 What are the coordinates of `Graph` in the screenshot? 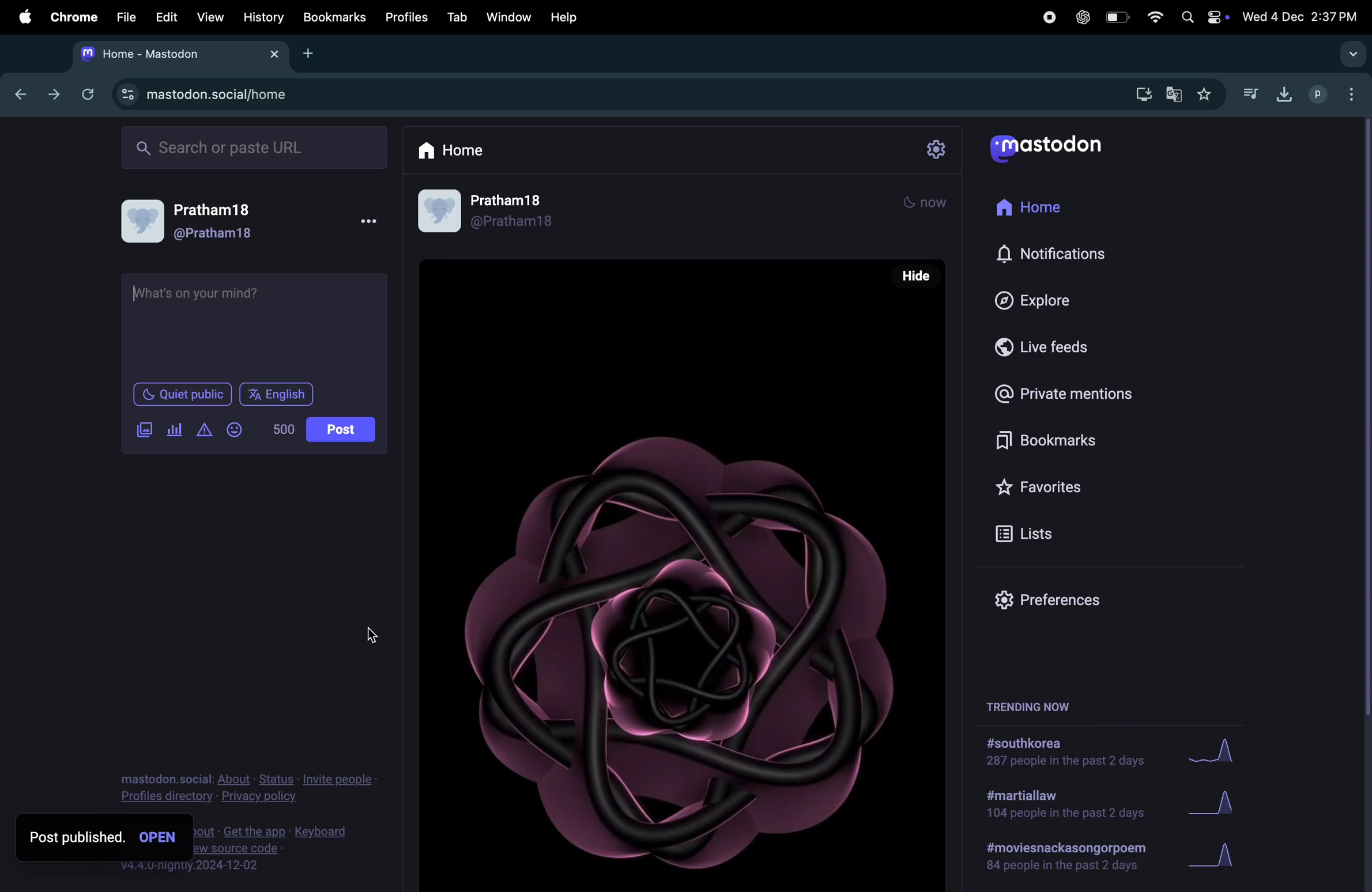 It's located at (1215, 806).